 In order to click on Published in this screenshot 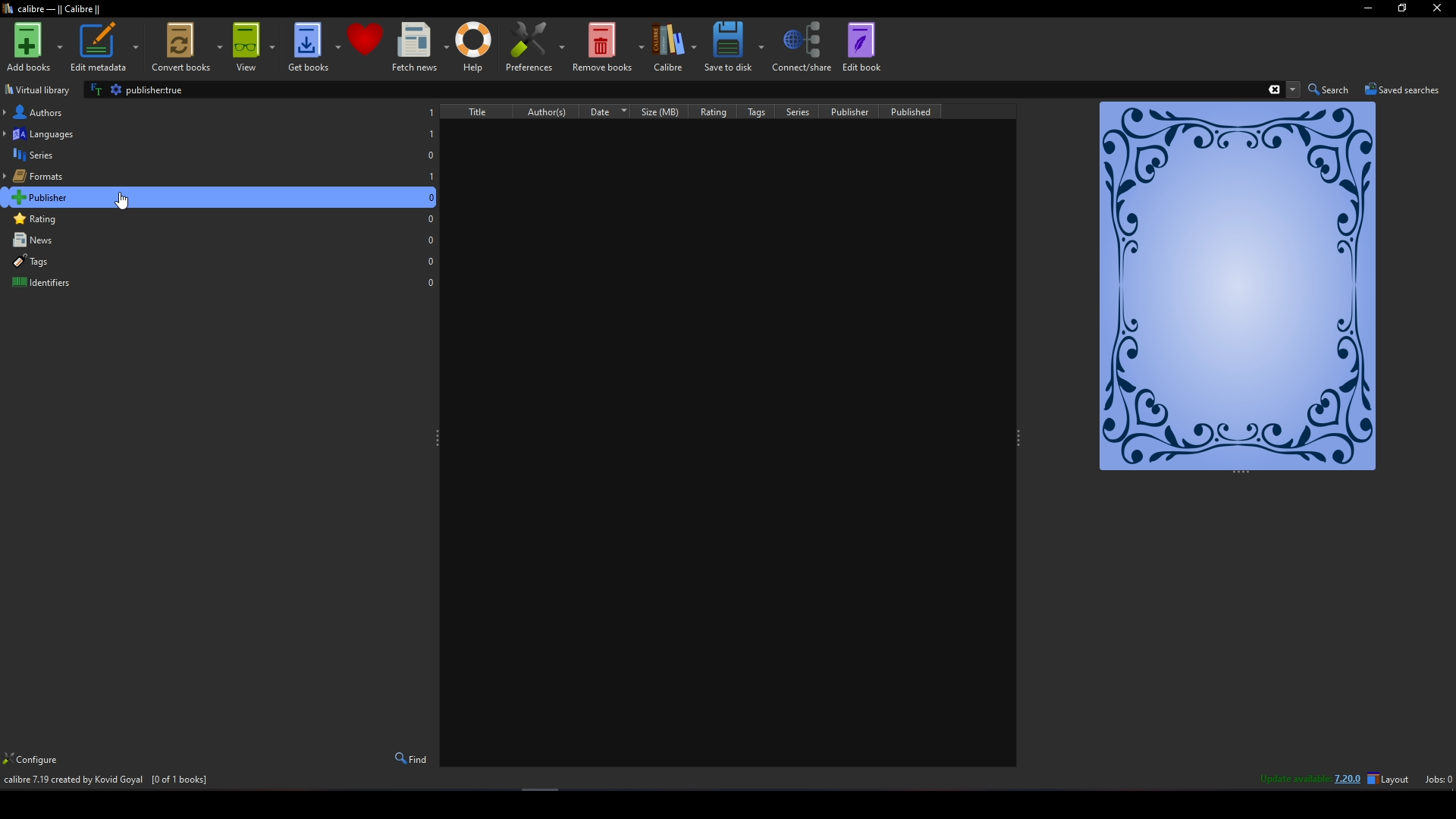, I will do `click(920, 111)`.